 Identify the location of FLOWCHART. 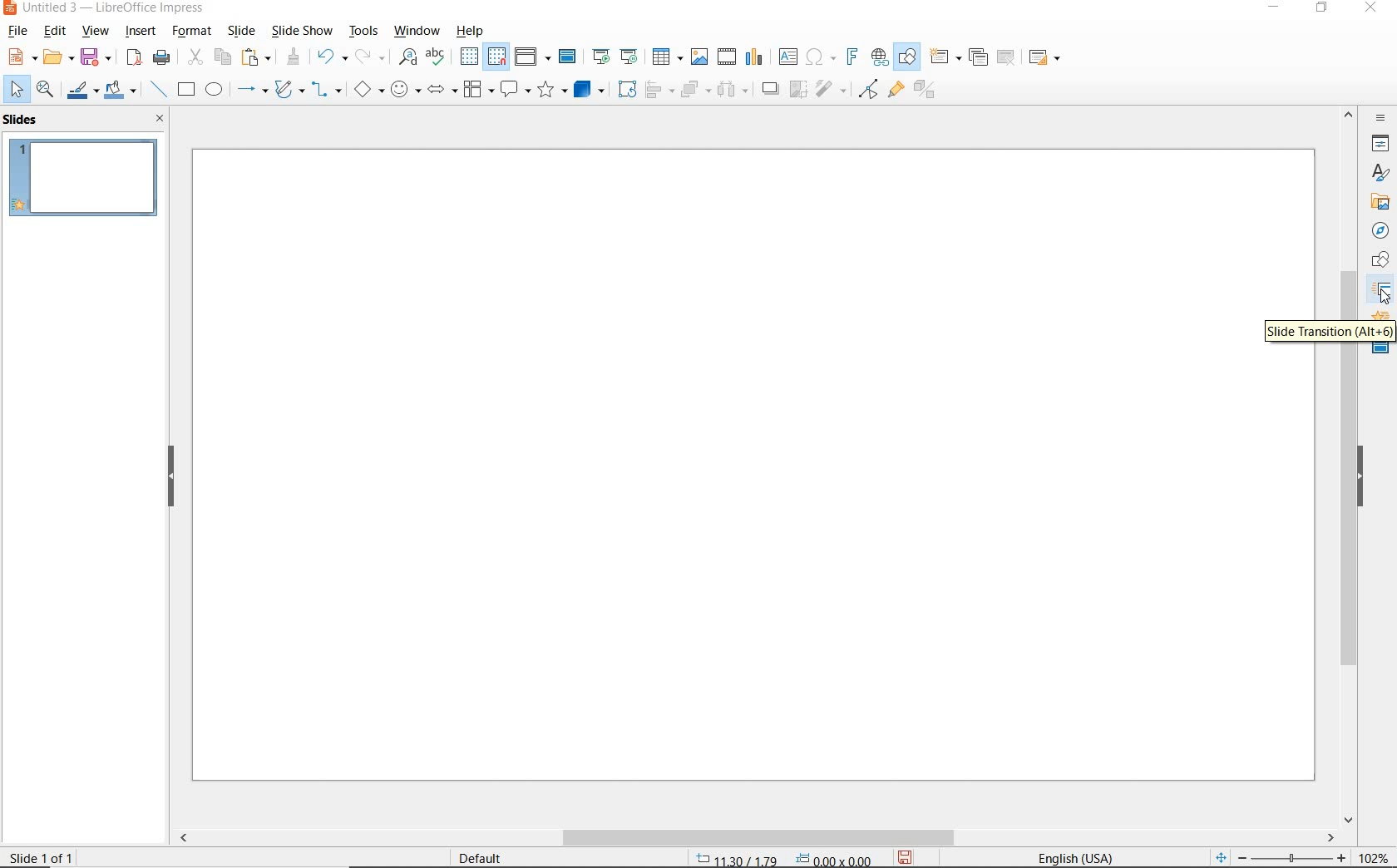
(477, 91).